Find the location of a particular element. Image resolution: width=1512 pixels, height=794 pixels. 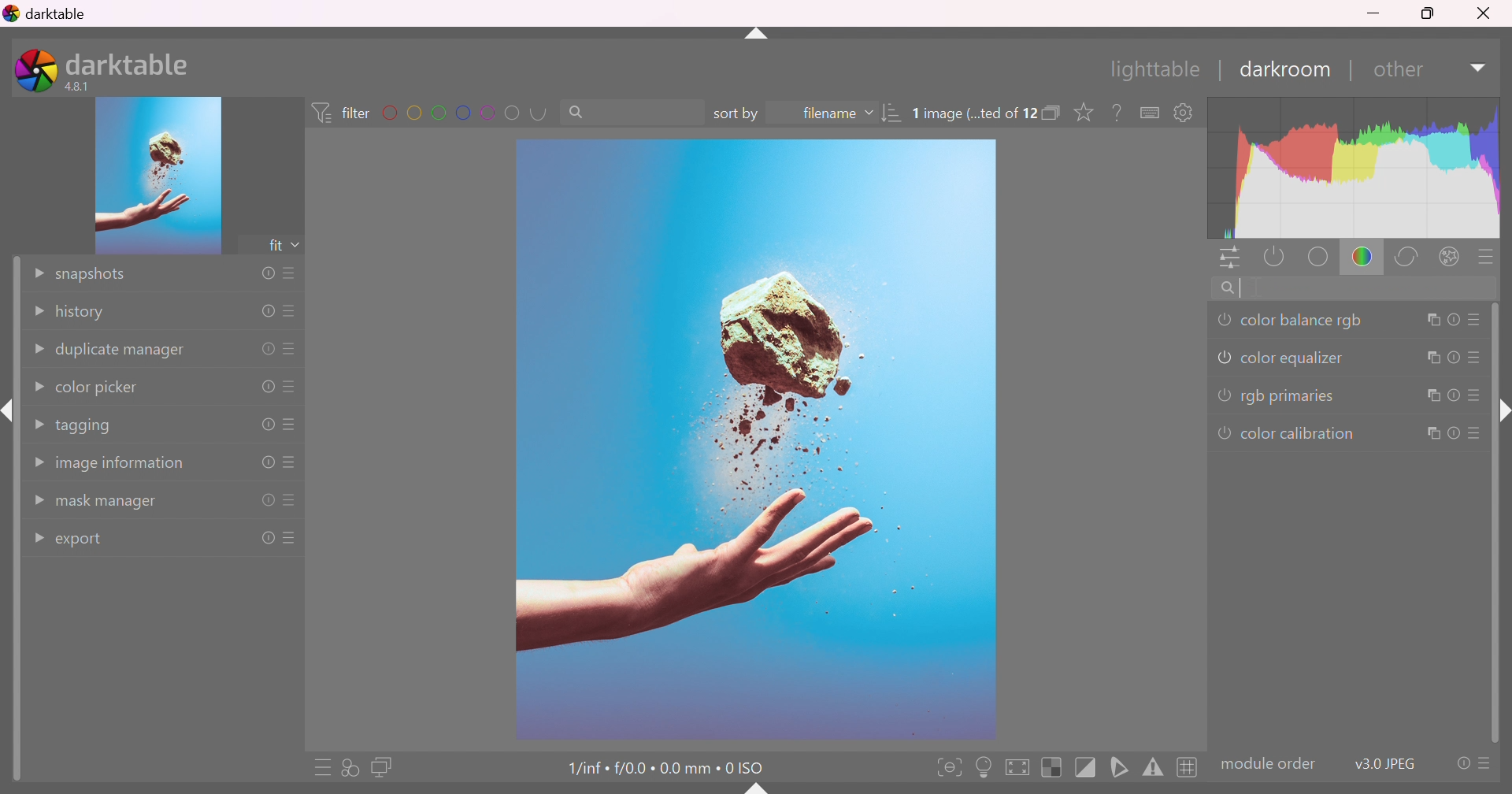

graph is located at coordinates (1354, 169).